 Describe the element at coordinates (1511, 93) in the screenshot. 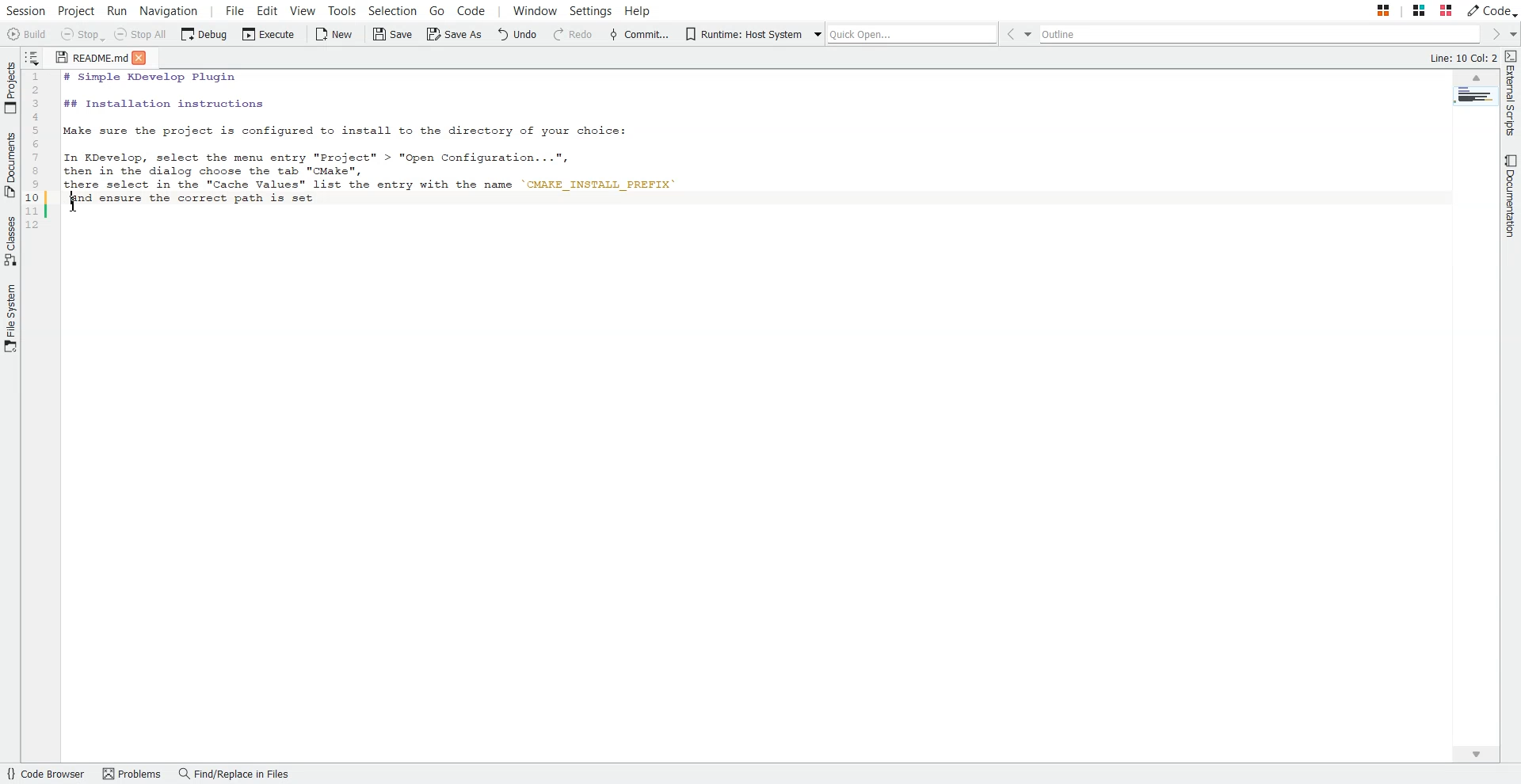

I see `External Scripts` at that location.